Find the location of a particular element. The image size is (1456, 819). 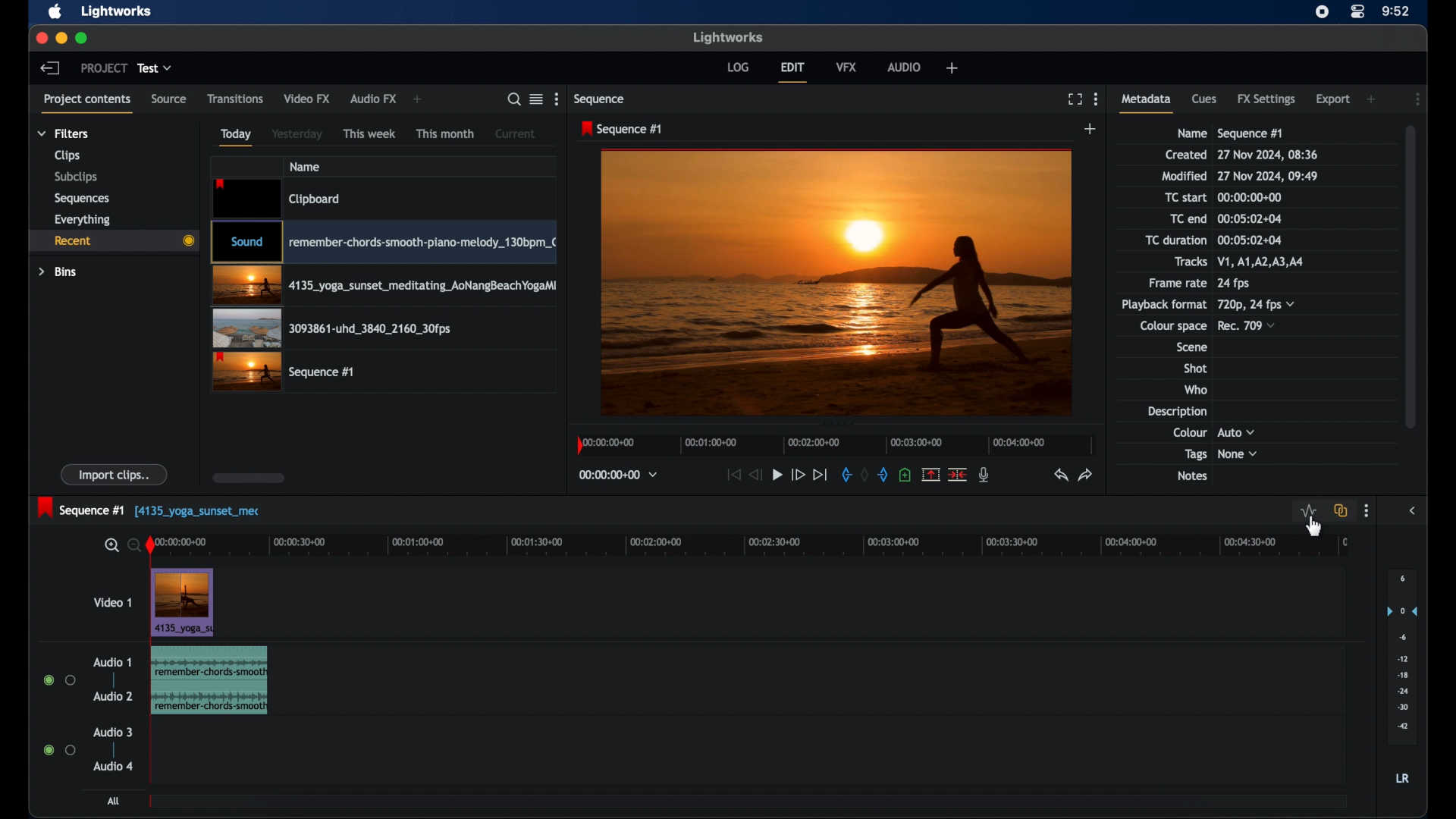

fast forward is located at coordinates (798, 475).